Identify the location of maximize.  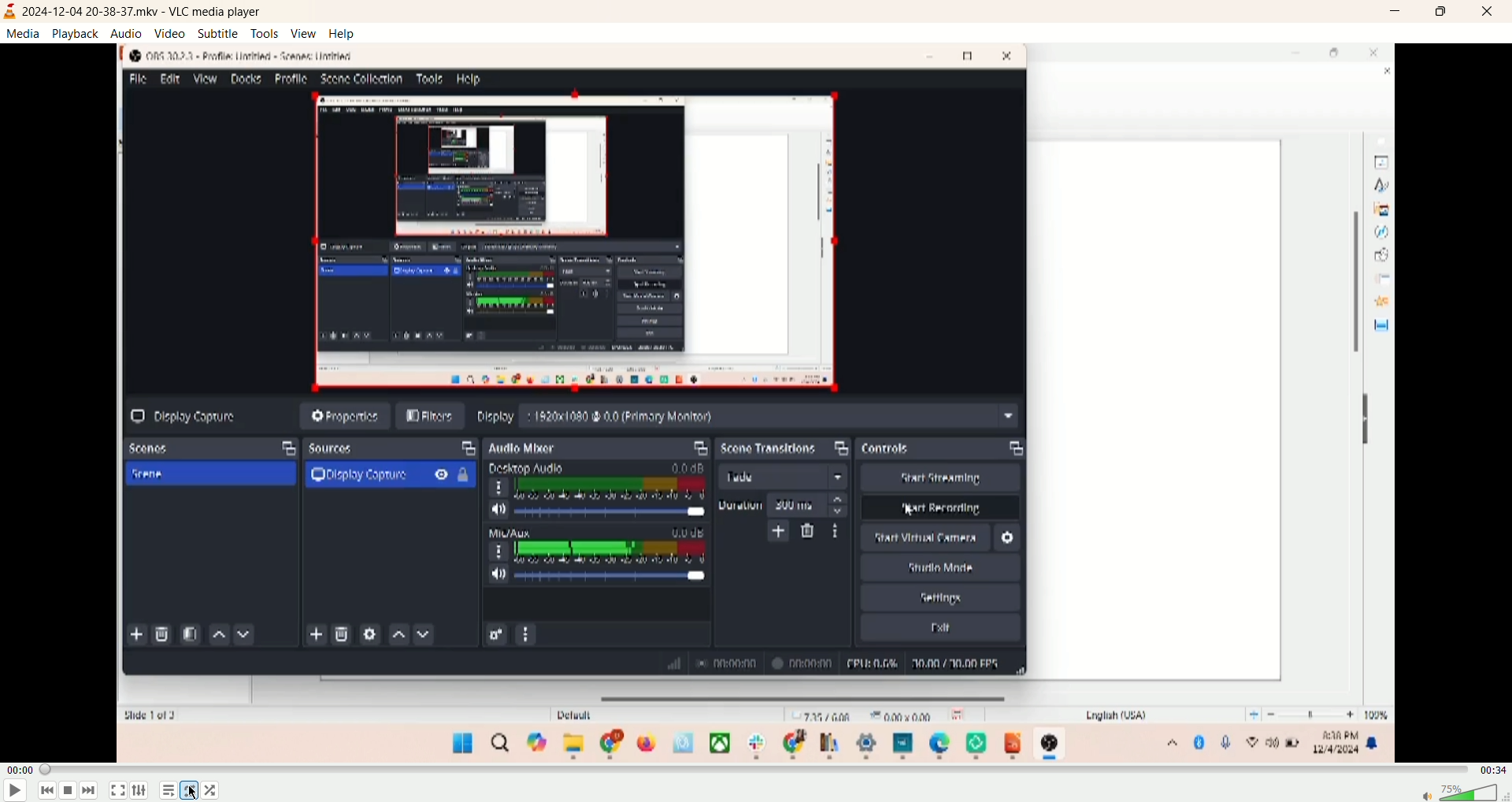
(1447, 12).